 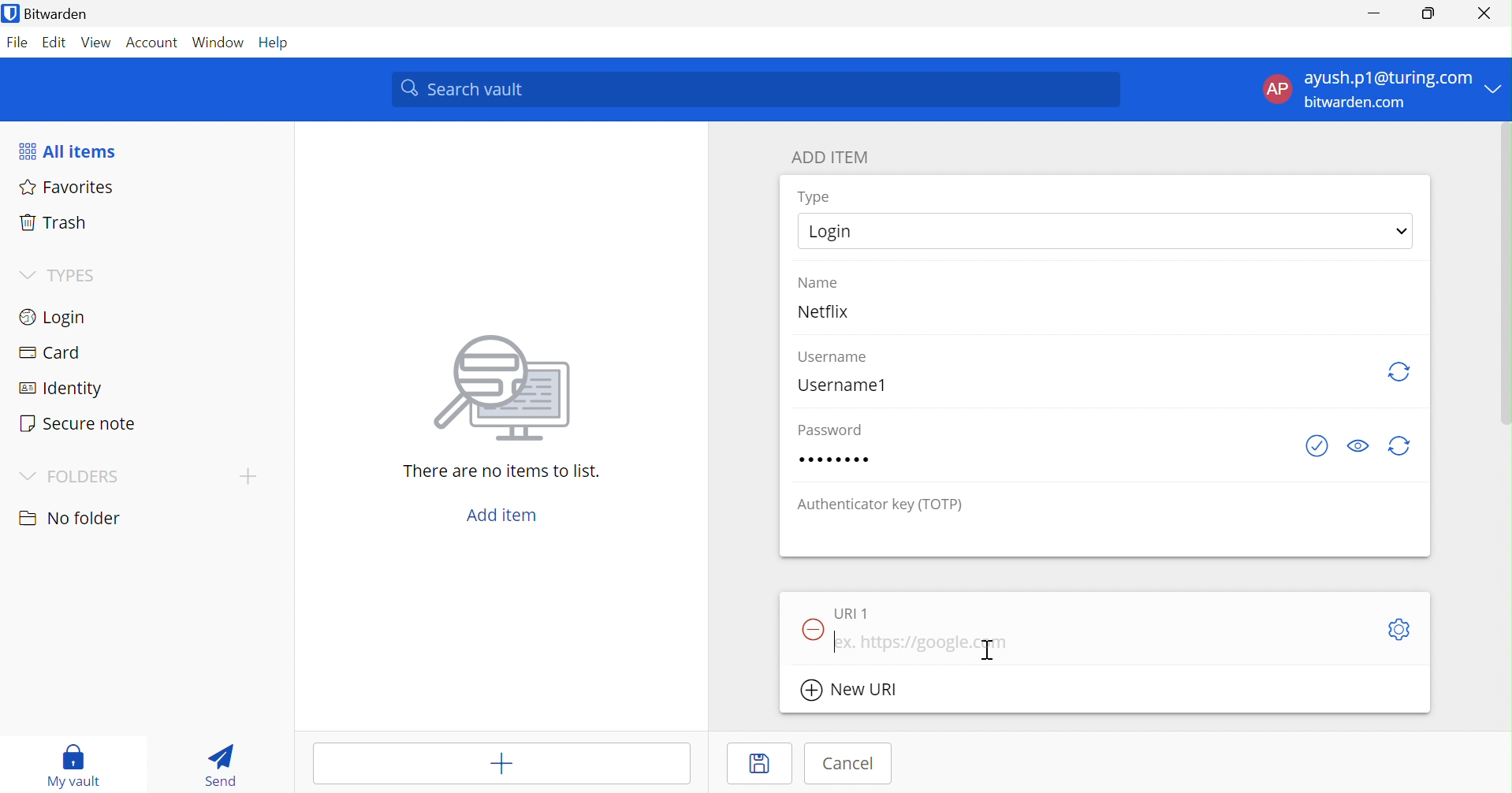 I want to click on Search vault, so click(x=754, y=88).